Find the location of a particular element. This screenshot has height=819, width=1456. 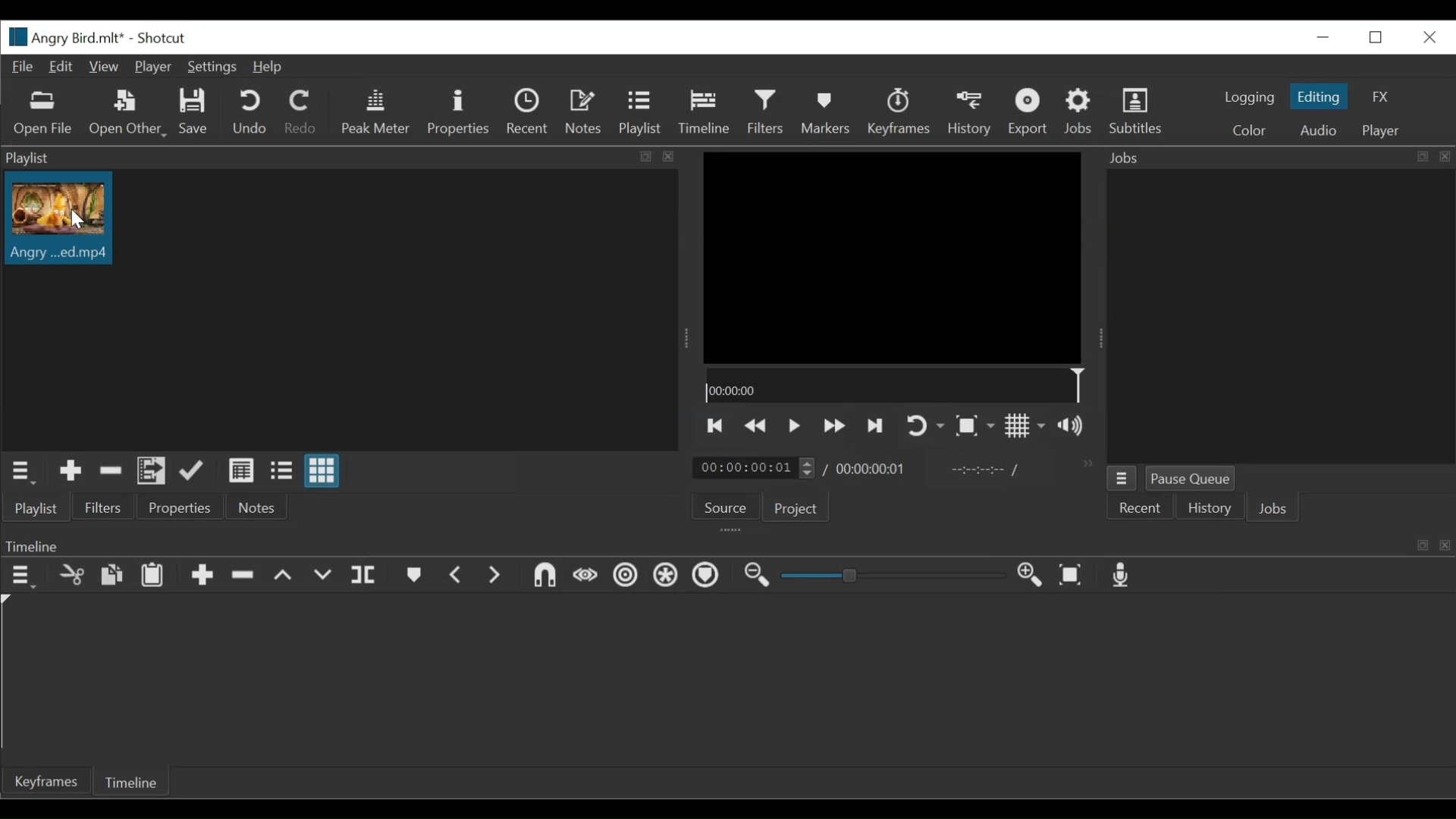

Overwrite is located at coordinates (324, 577).